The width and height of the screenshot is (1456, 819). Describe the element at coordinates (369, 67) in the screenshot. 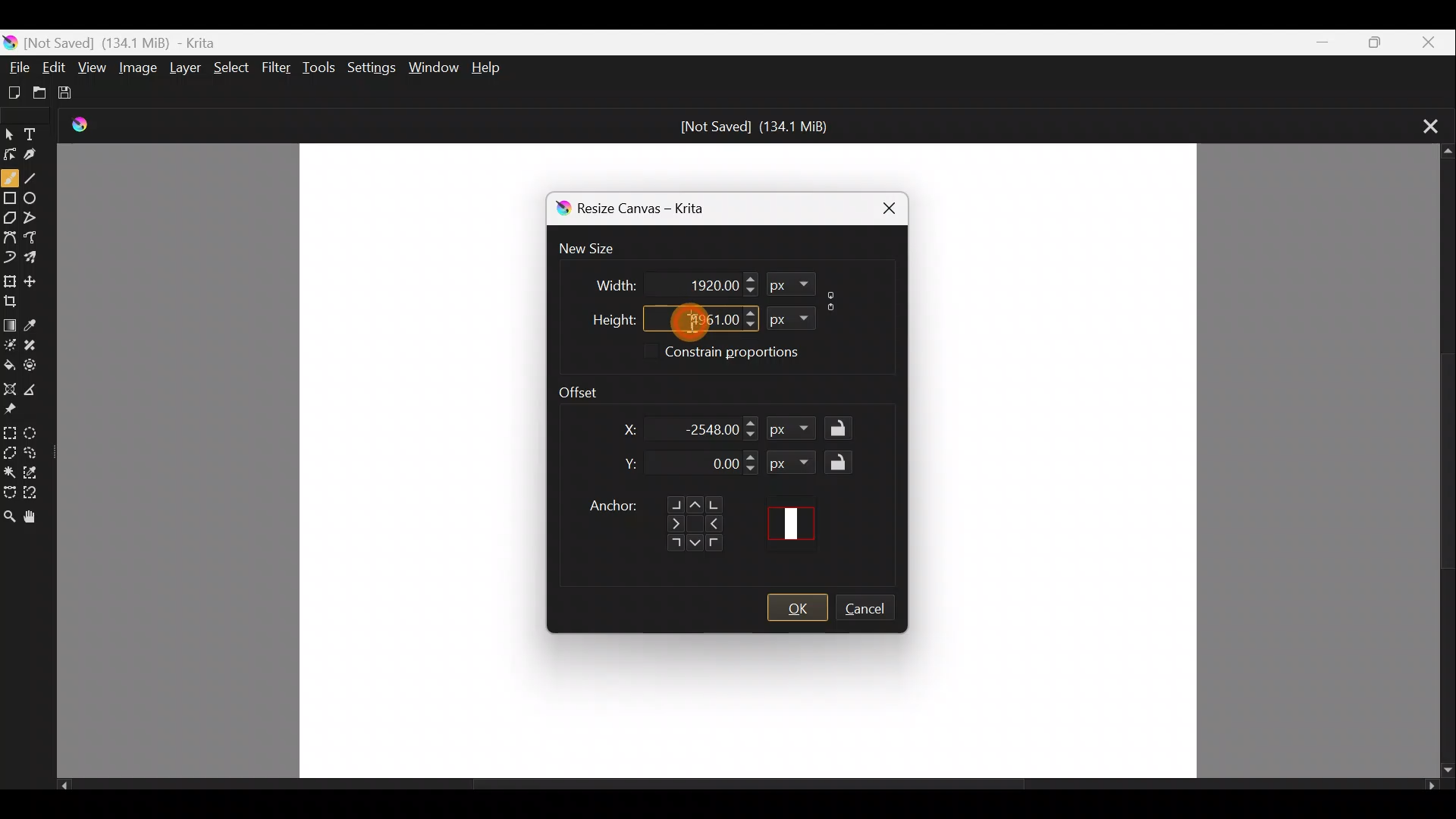

I see `Settings` at that location.